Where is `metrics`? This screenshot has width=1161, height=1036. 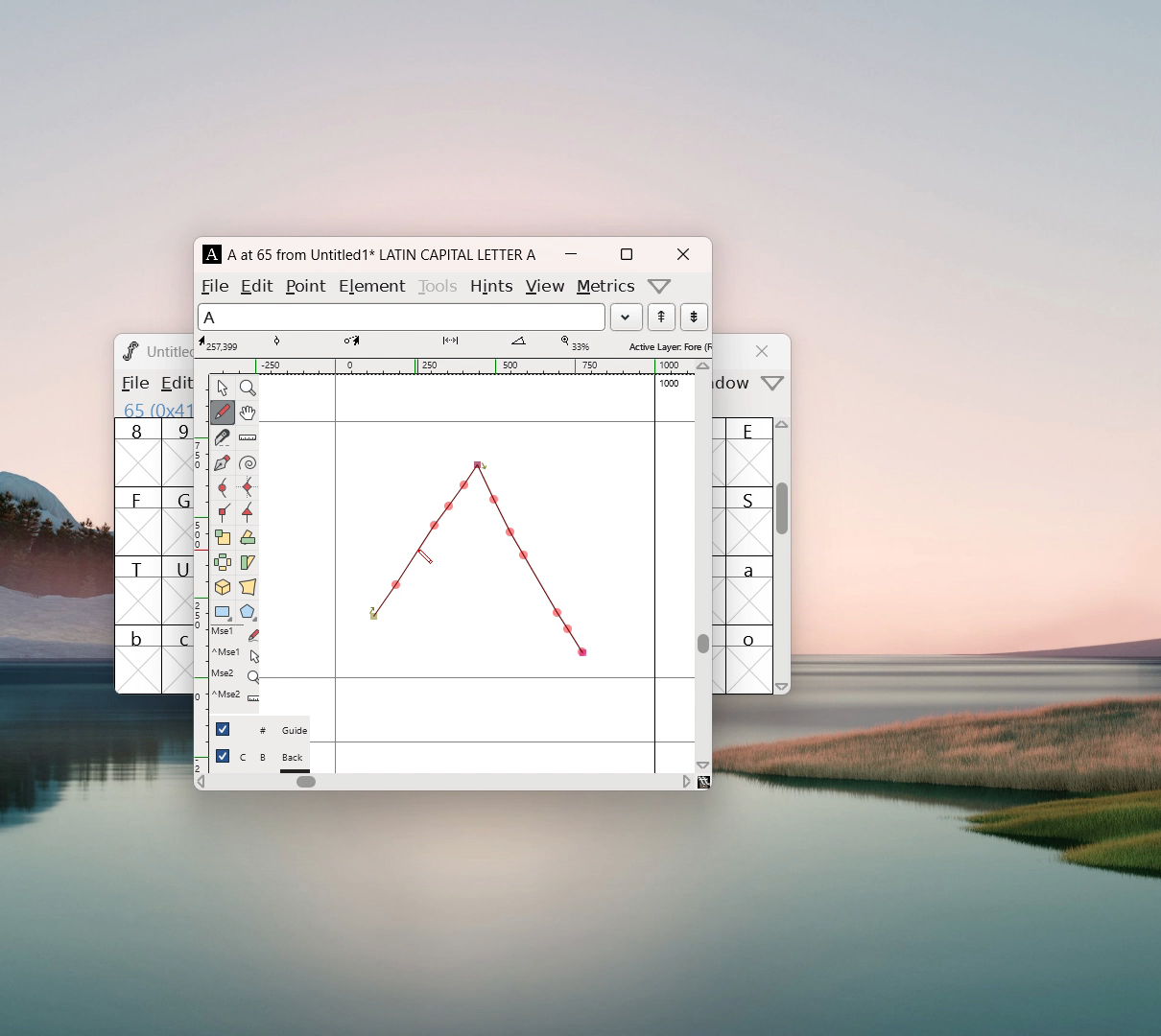
metrics is located at coordinates (606, 287).